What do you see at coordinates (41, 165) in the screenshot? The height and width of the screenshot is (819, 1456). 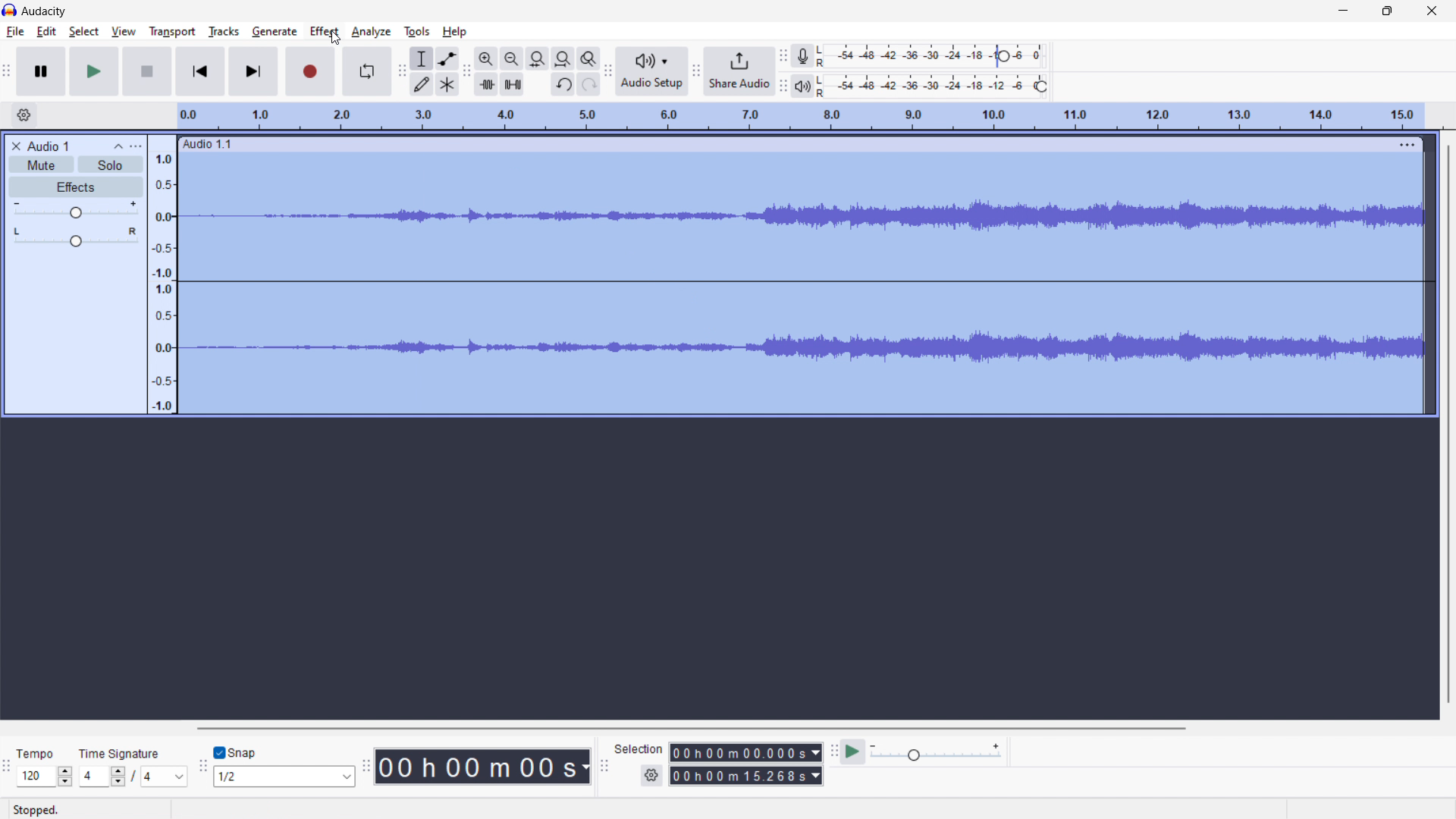 I see `mute` at bounding box center [41, 165].